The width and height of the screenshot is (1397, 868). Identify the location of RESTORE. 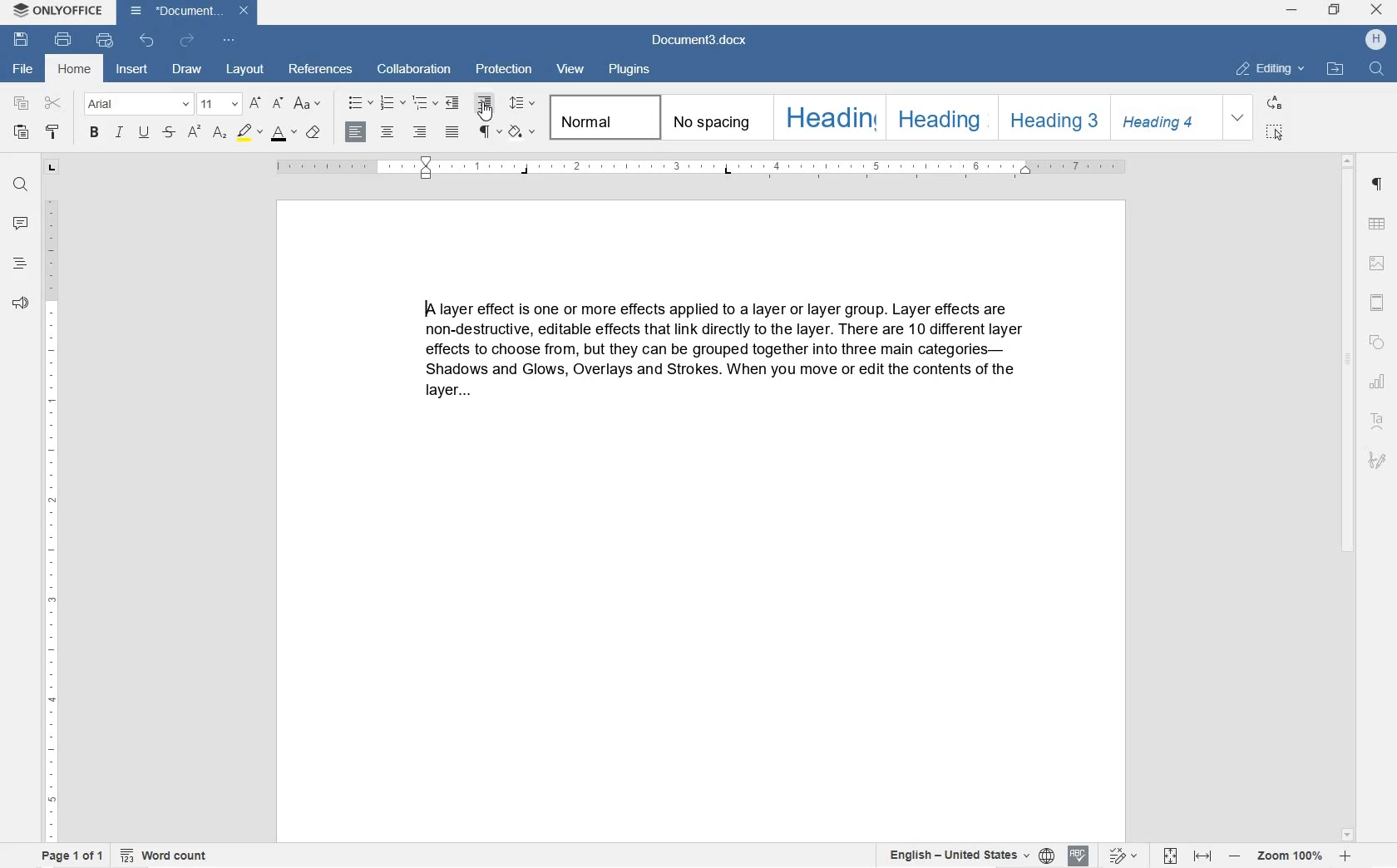
(1334, 10).